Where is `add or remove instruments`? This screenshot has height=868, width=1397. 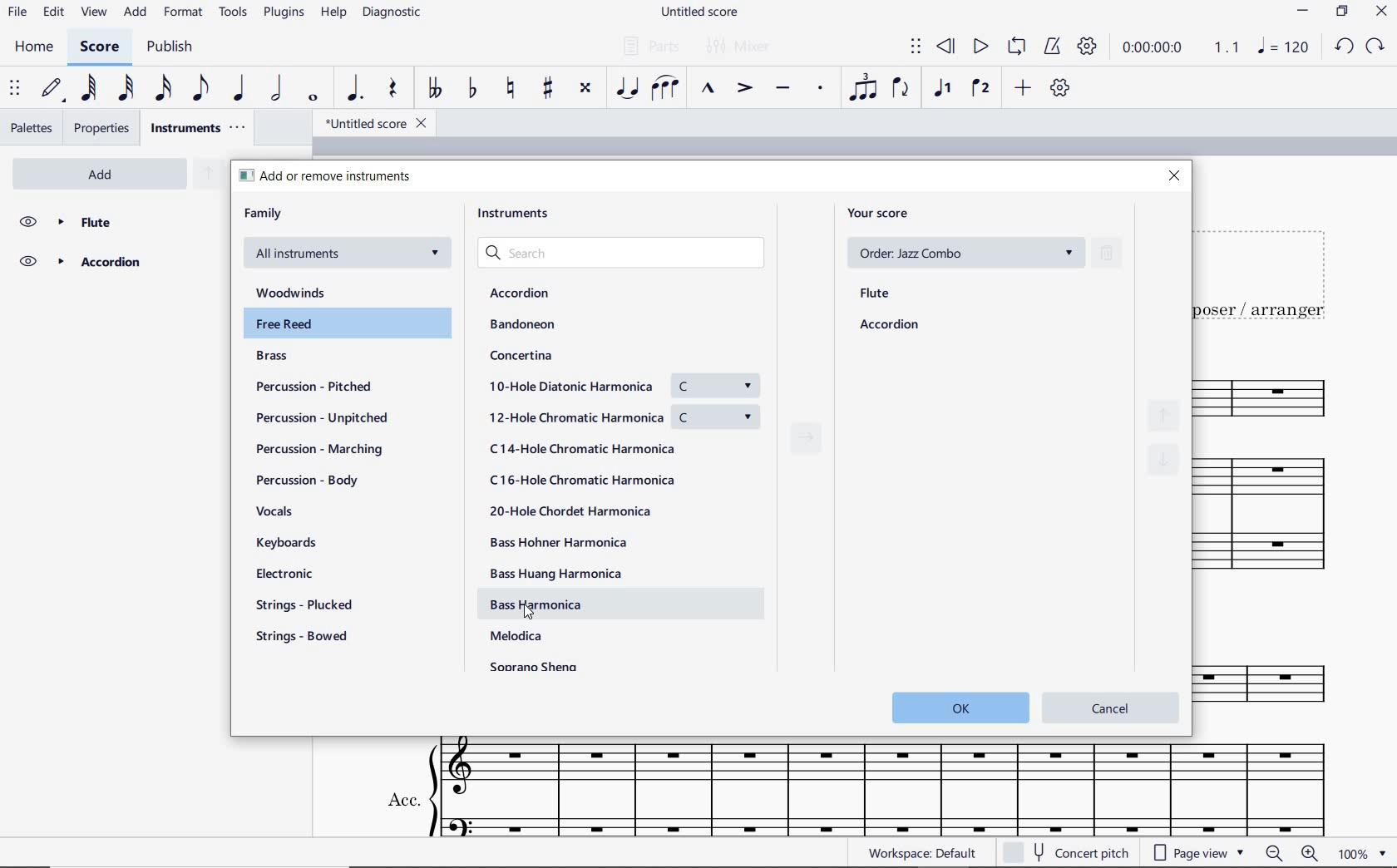 add or remove instruments is located at coordinates (328, 176).